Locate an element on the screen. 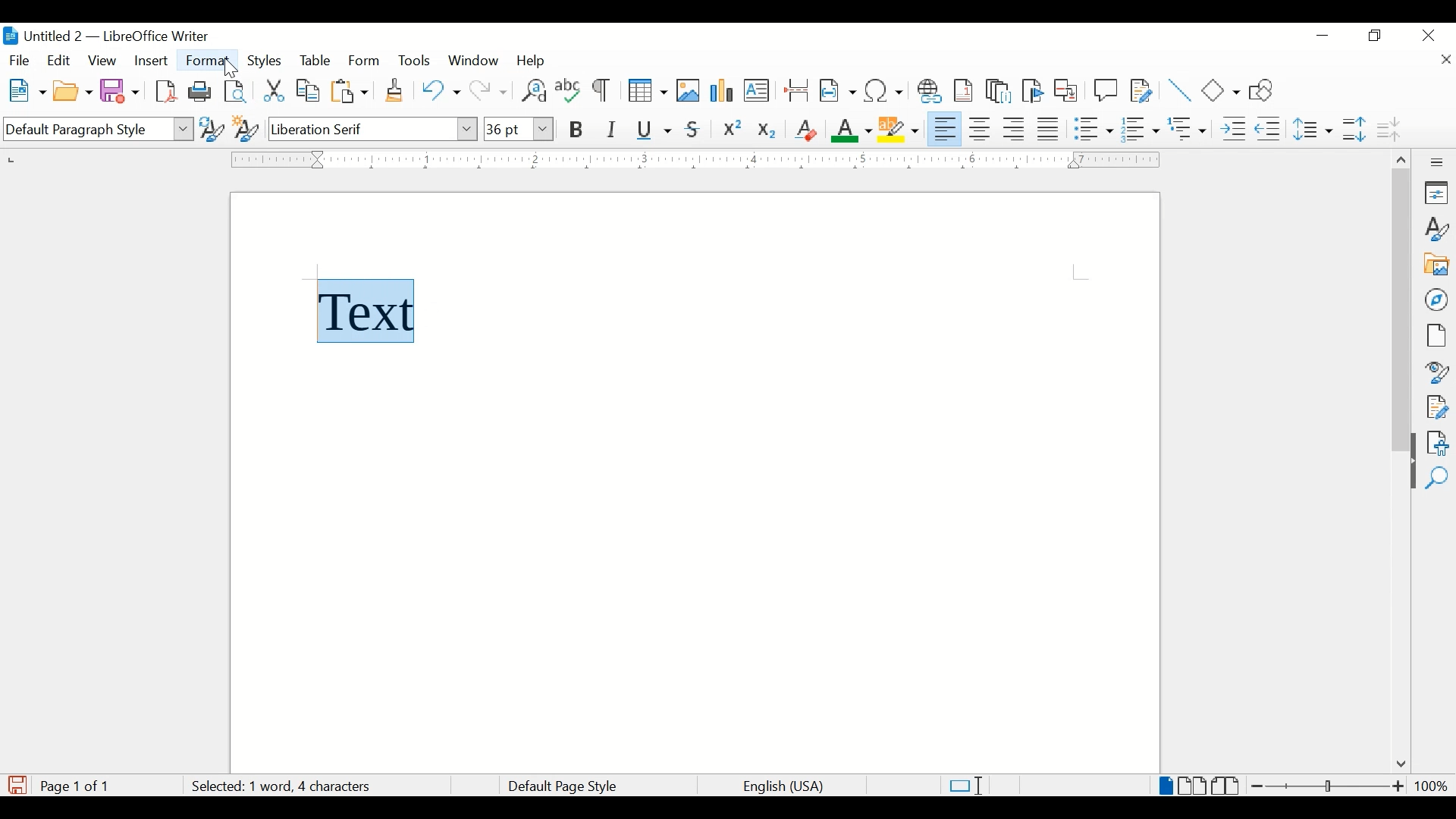 The height and width of the screenshot is (819, 1456). align left is located at coordinates (946, 127).